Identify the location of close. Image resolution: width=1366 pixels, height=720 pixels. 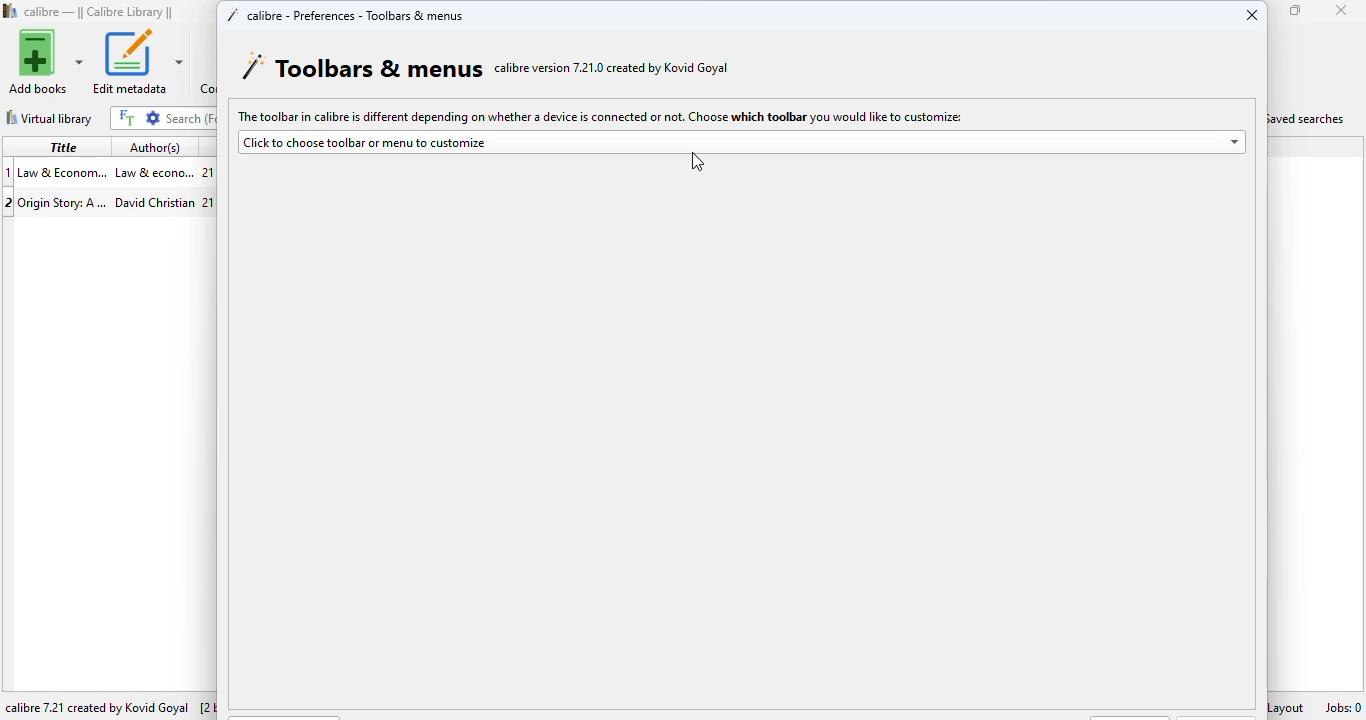
(1341, 10).